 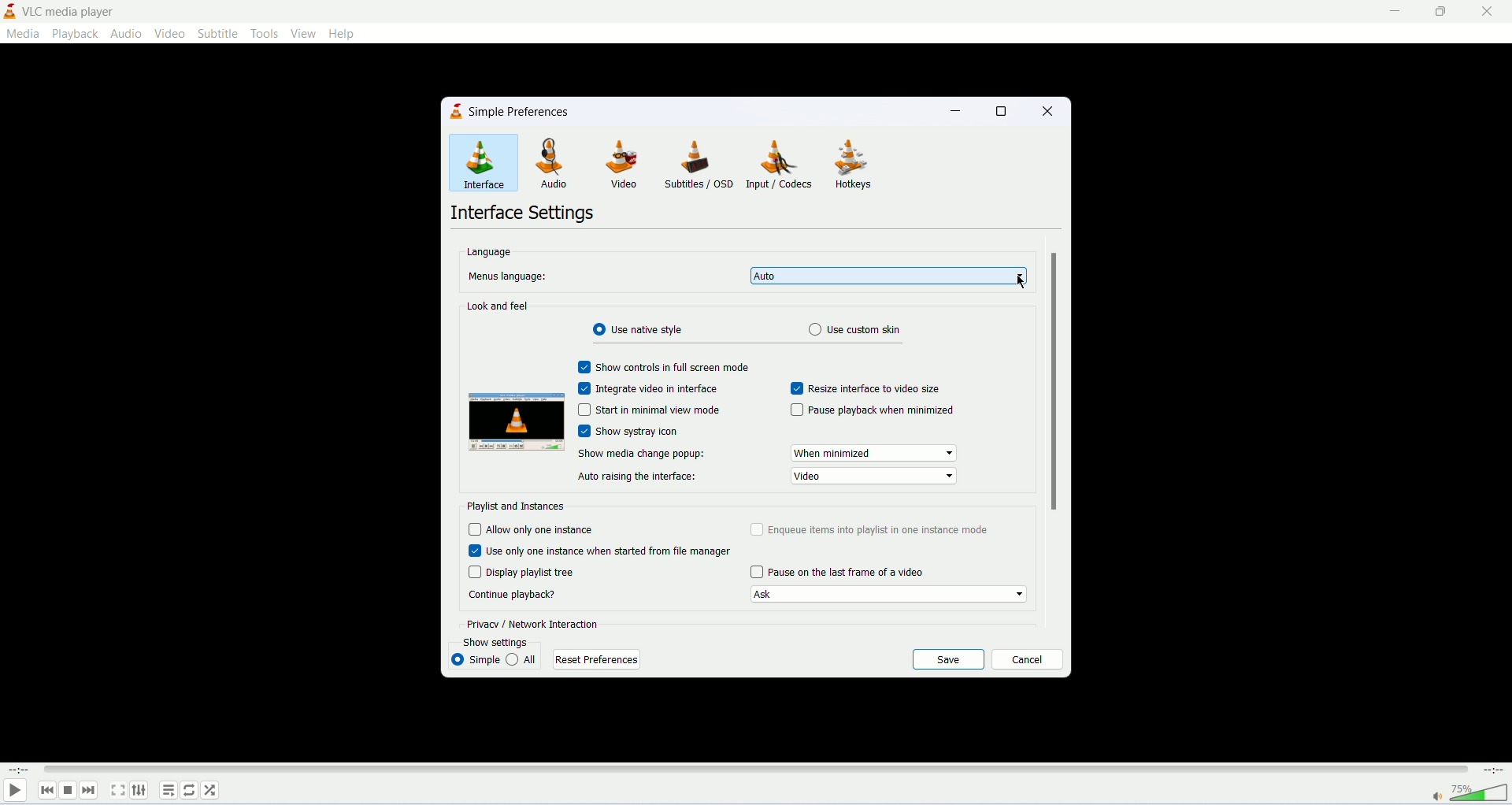 What do you see at coordinates (458, 112) in the screenshot?
I see `icon` at bounding box center [458, 112].